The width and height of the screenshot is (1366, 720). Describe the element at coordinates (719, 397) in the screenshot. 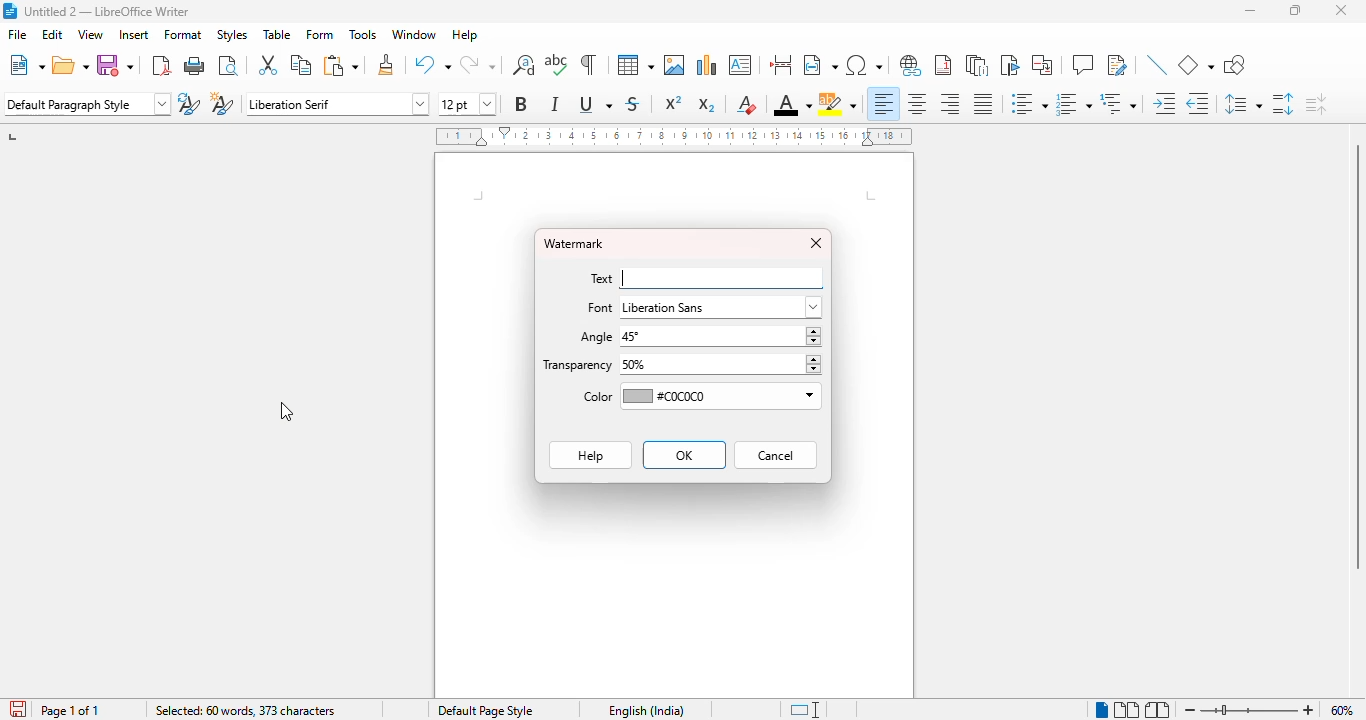

I see ` #C0C0C0` at that location.